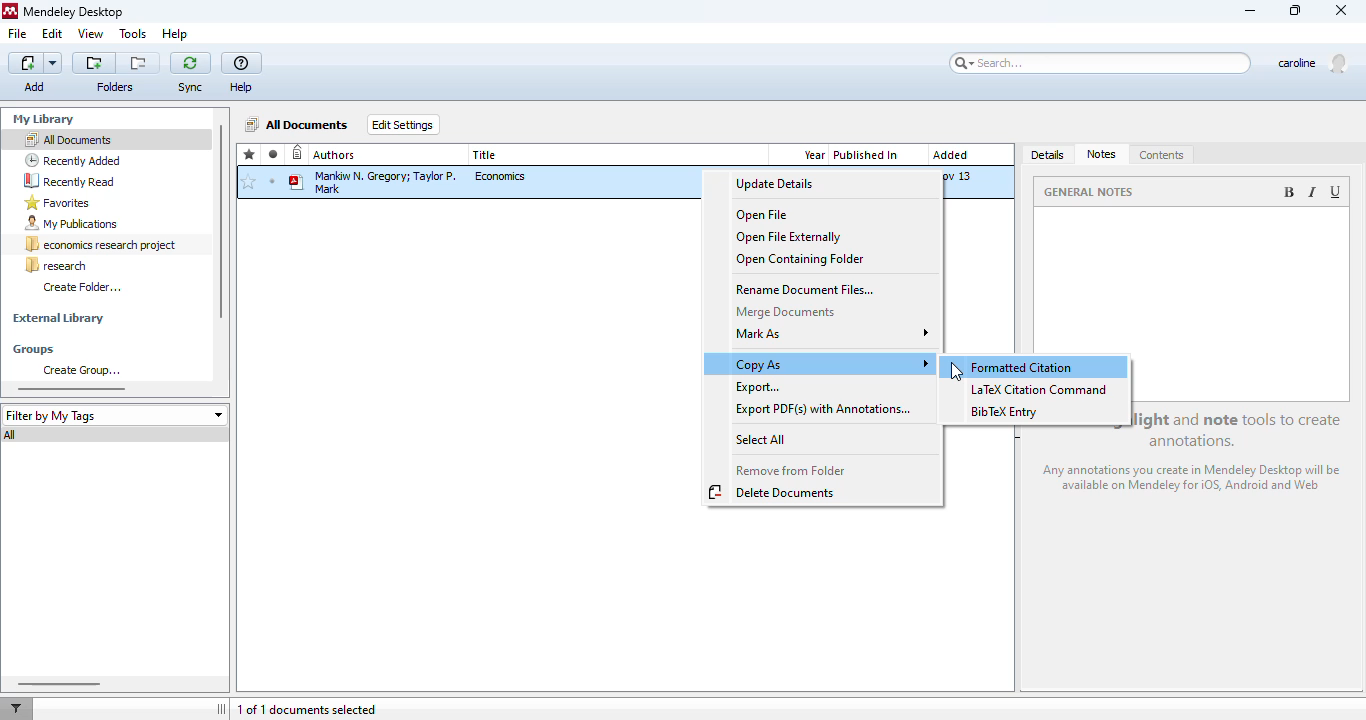 Image resolution: width=1366 pixels, height=720 pixels. What do you see at coordinates (220, 222) in the screenshot?
I see `vertical scroll bar` at bounding box center [220, 222].